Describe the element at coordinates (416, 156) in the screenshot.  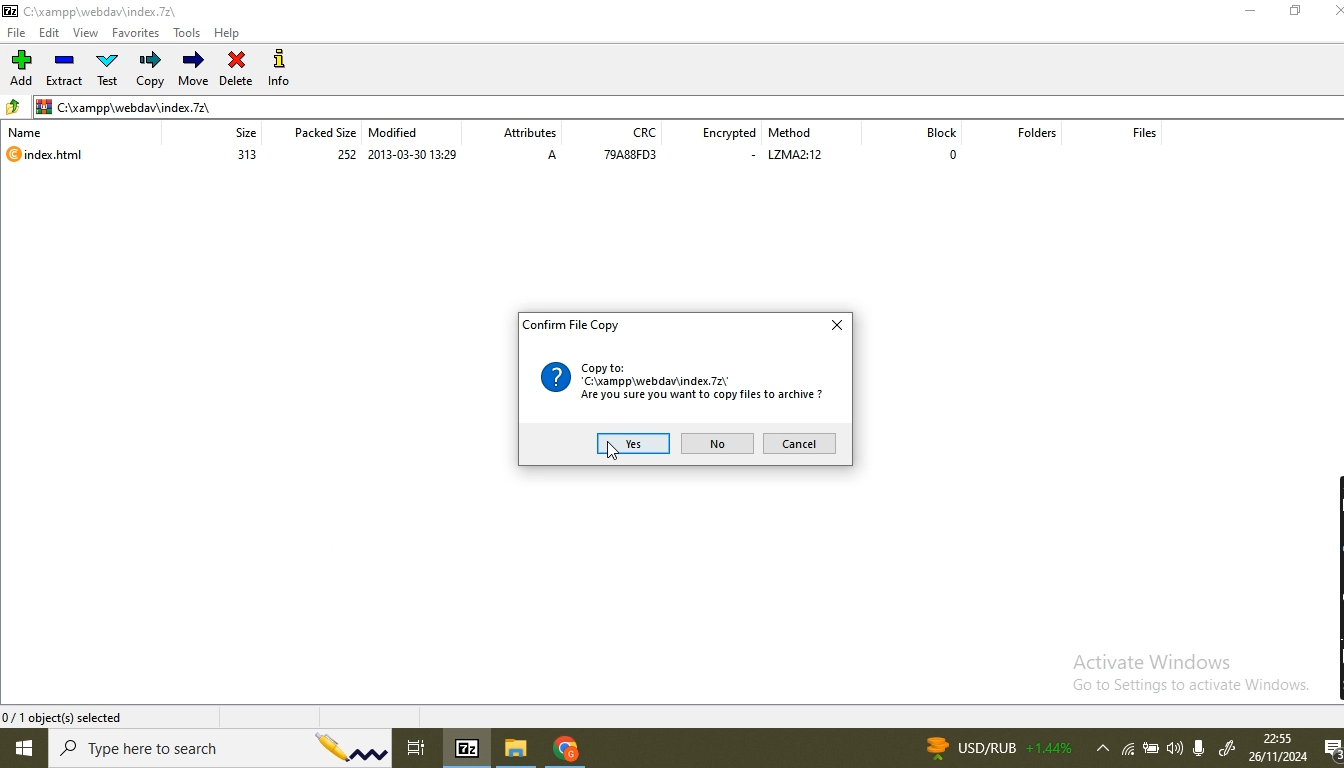
I see `2013-03-3- 13:29` at that location.